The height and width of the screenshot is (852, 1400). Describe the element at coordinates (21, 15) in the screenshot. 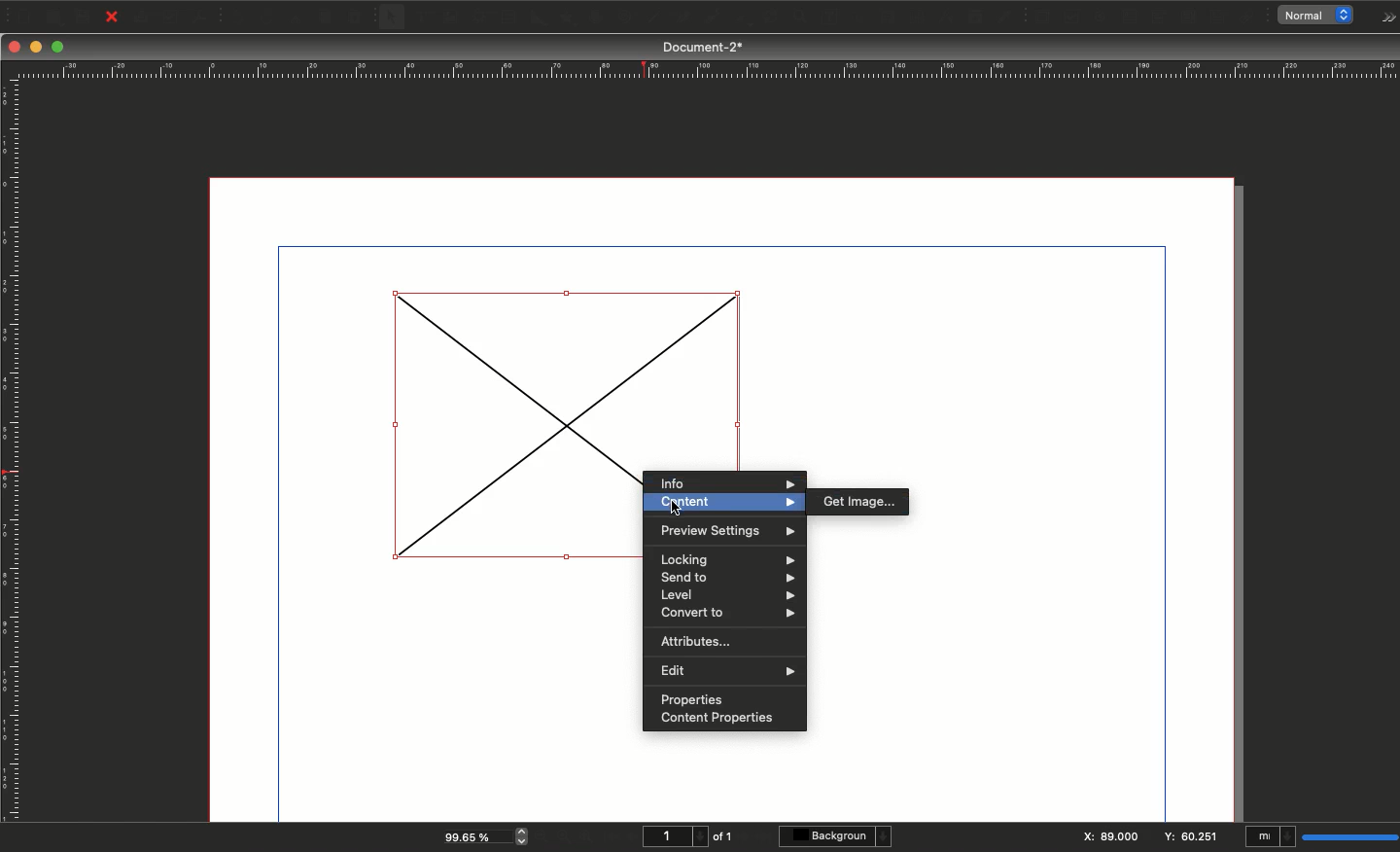

I see `New` at that location.